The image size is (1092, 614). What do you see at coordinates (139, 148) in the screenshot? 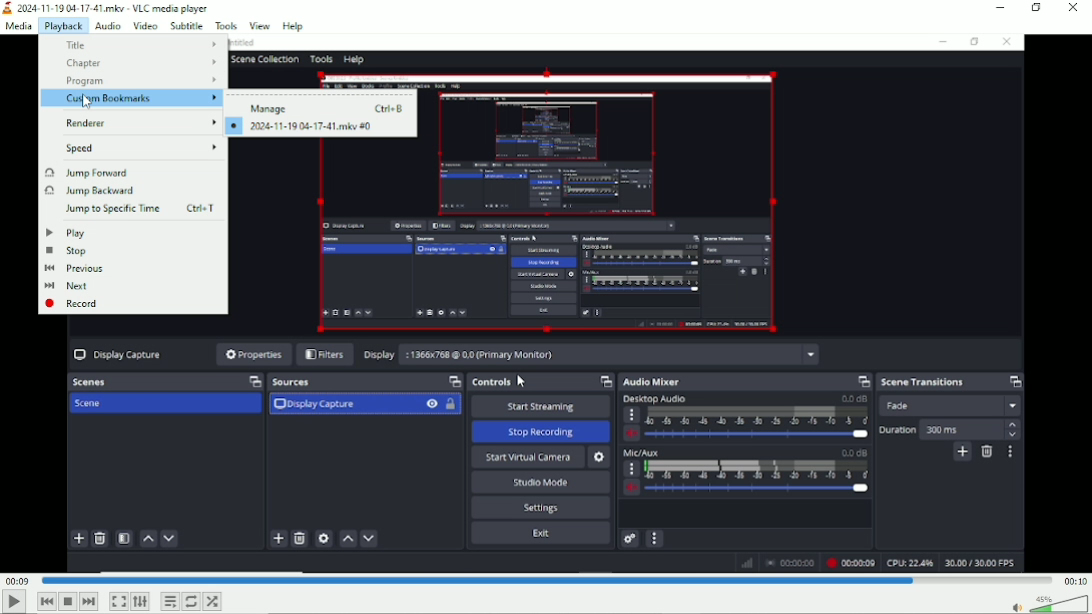
I see `Speed` at bounding box center [139, 148].